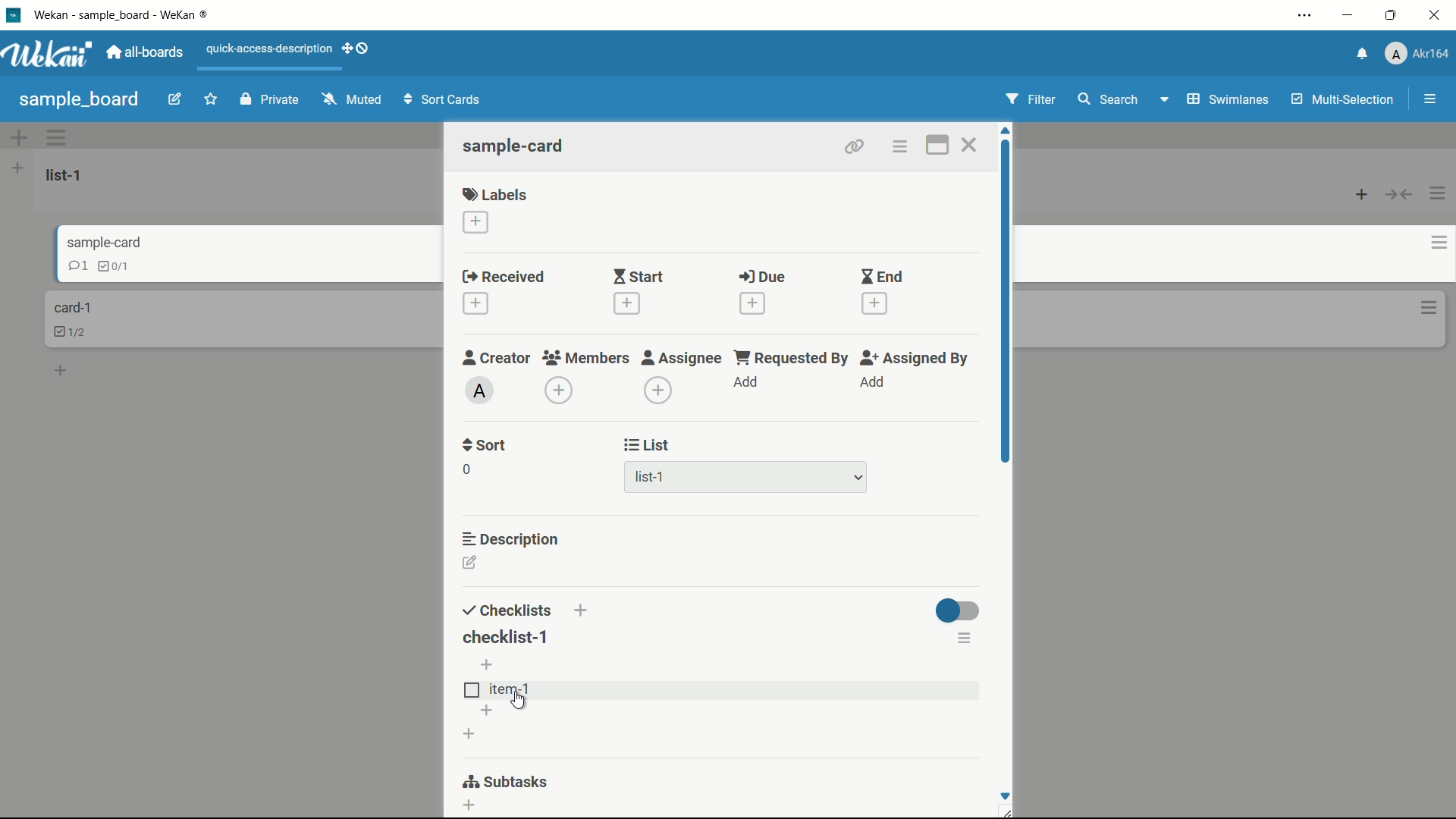  Describe the element at coordinates (648, 477) in the screenshot. I see `list-1` at that location.